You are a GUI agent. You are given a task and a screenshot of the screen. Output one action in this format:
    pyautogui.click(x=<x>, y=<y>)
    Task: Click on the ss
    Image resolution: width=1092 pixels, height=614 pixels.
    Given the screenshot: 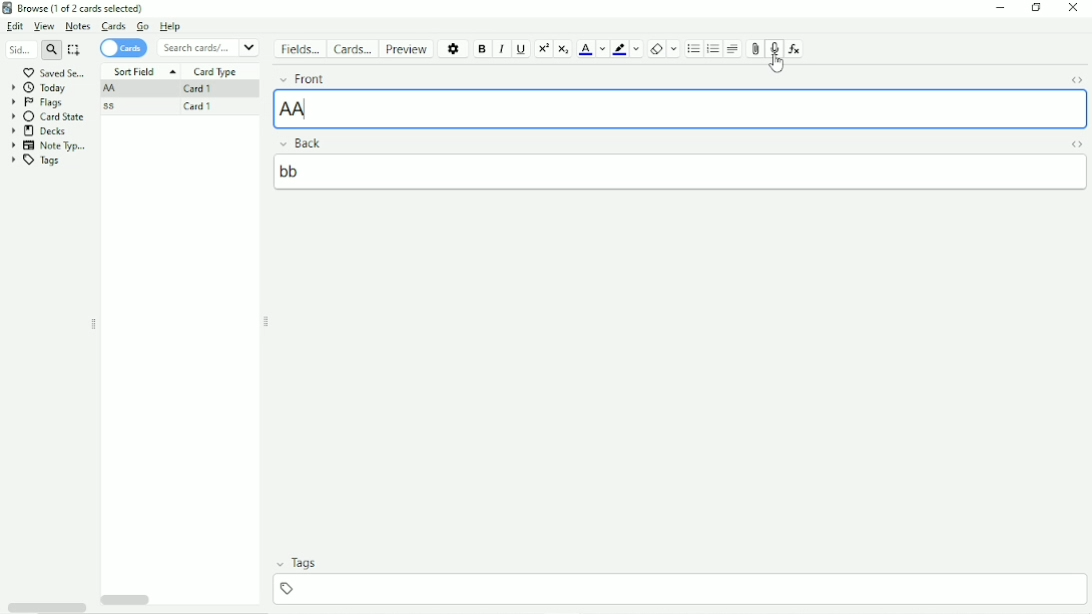 What is the action you would take?
    pyautogui.click(x=108, y=107)
    